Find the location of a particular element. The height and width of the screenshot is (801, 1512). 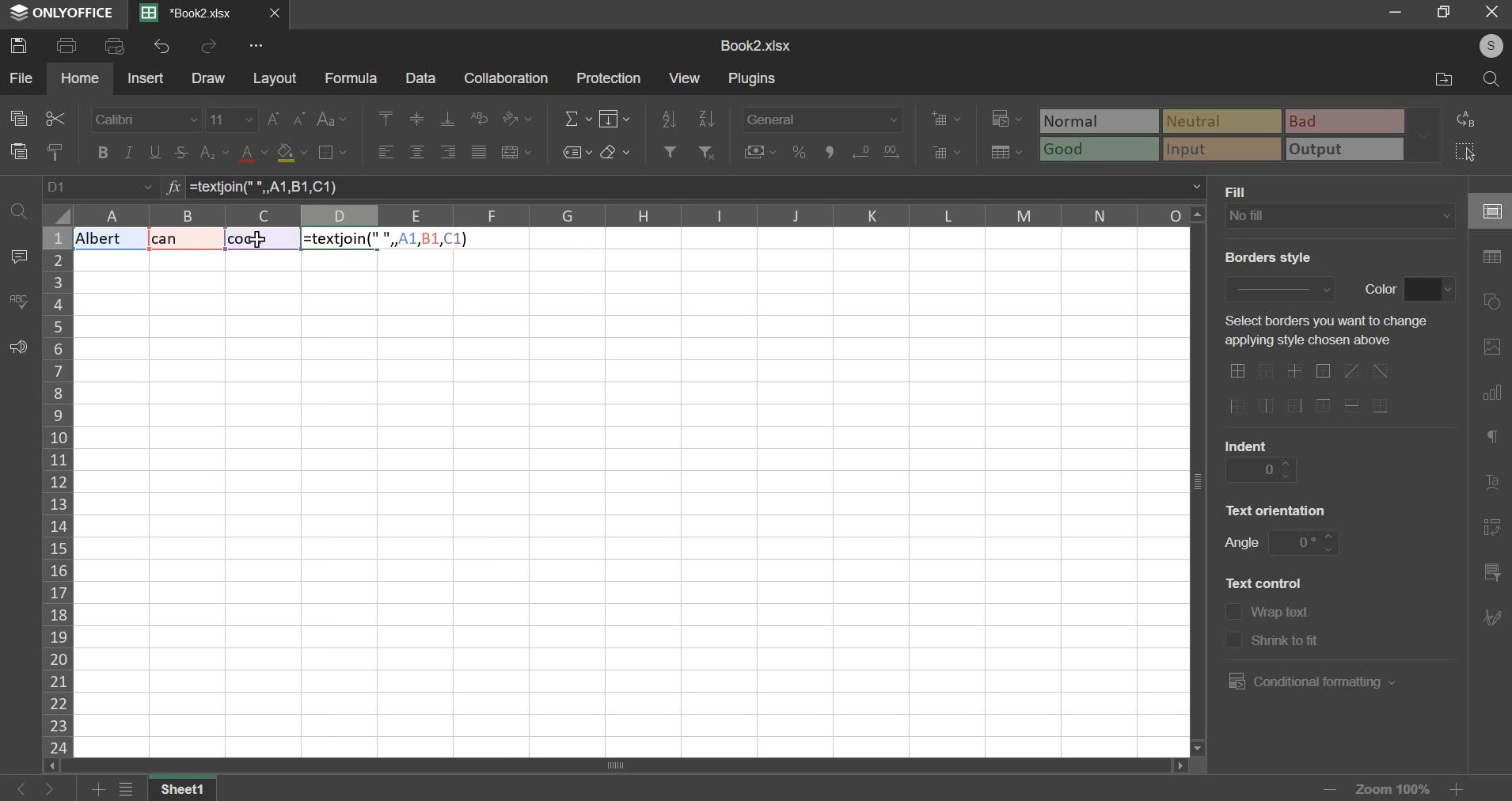

fill type is located at coordinates (1340, 216).